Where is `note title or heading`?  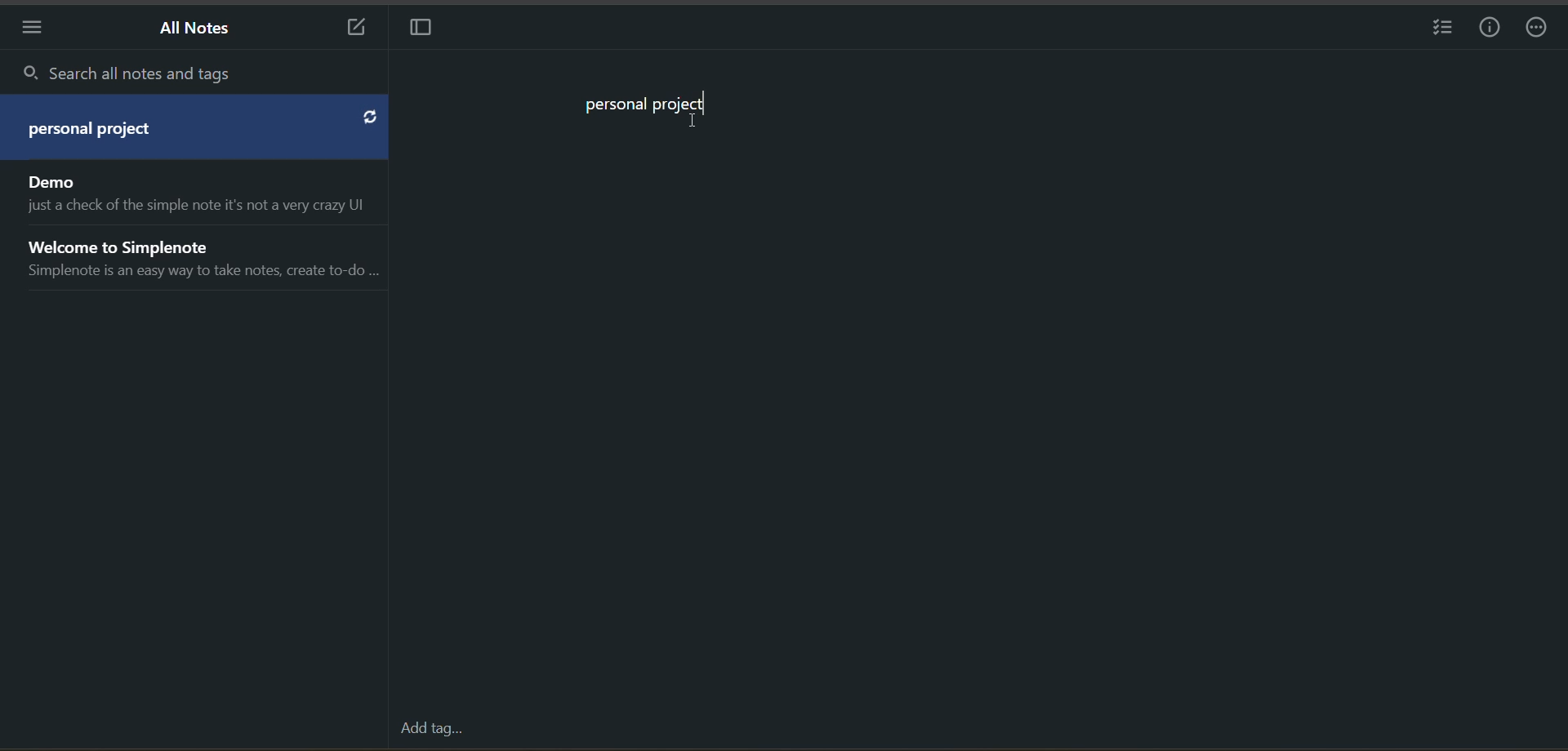 note title or heading is located at coordinates (647, 106).